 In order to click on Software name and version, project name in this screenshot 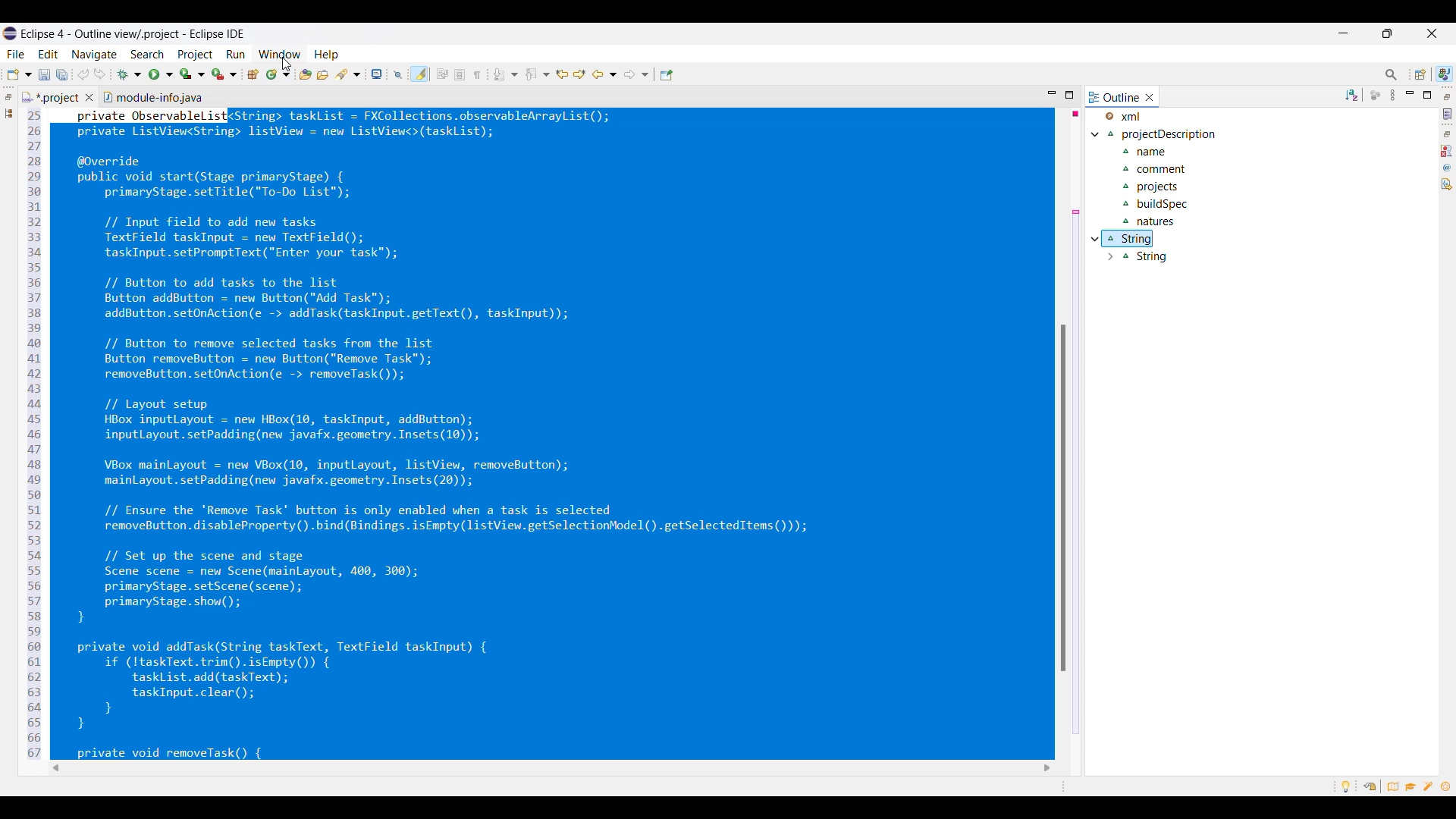, I will do `click(137, 34)`.